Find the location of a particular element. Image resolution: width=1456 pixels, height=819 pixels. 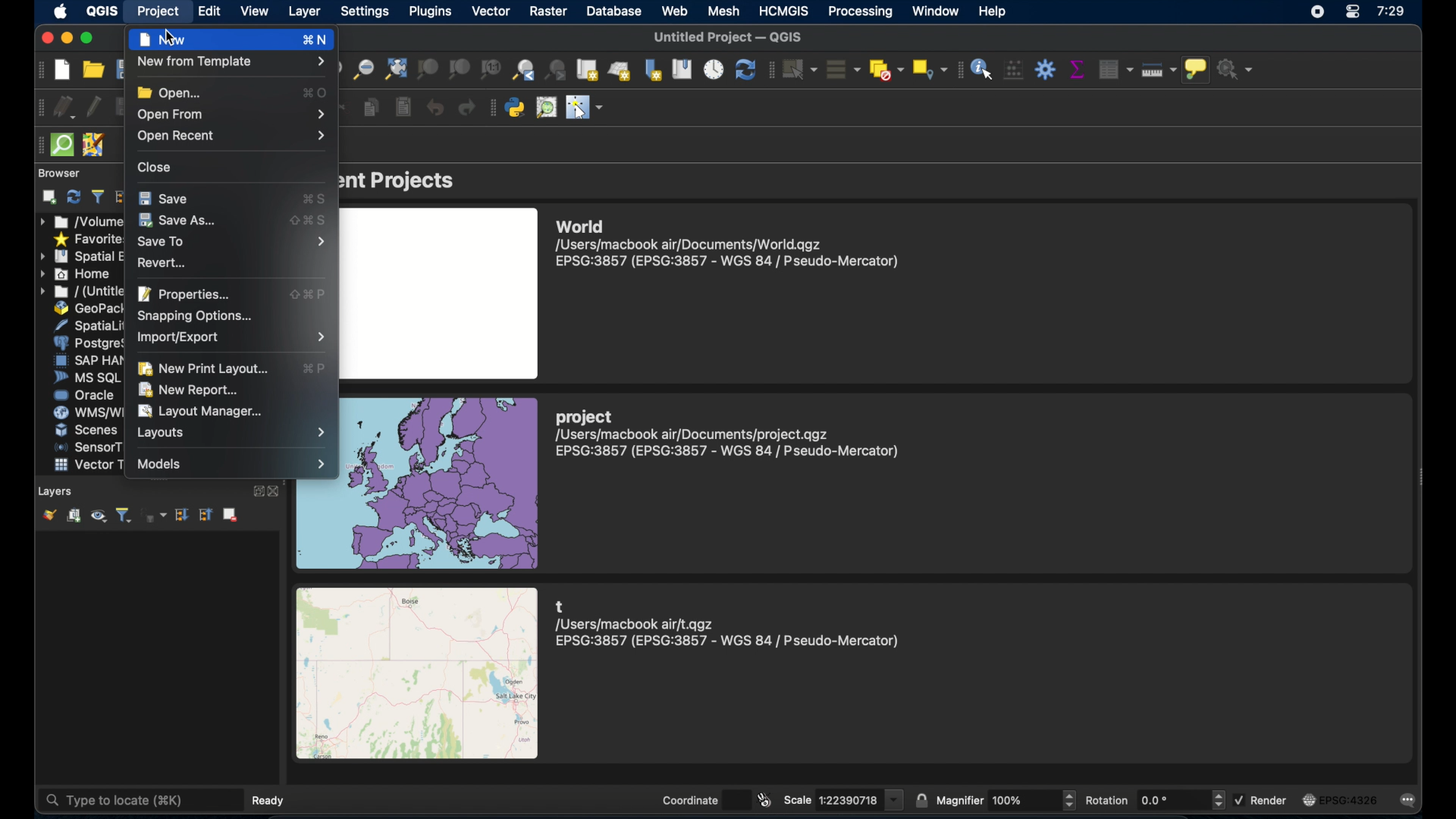

layers is located at coordinates (56, 491).